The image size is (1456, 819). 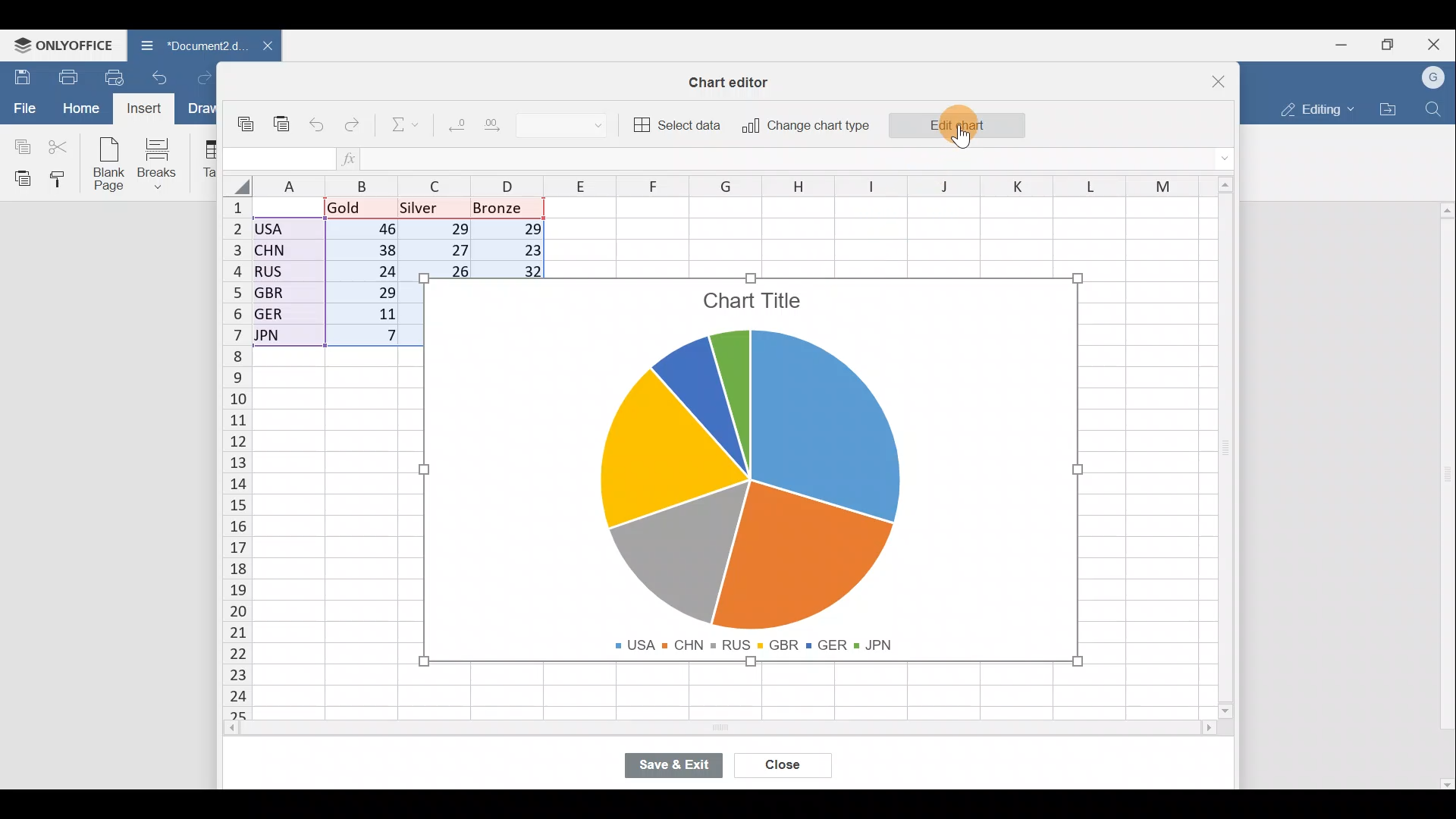 I want to click on Open file location, so click(x=1388, y=109).